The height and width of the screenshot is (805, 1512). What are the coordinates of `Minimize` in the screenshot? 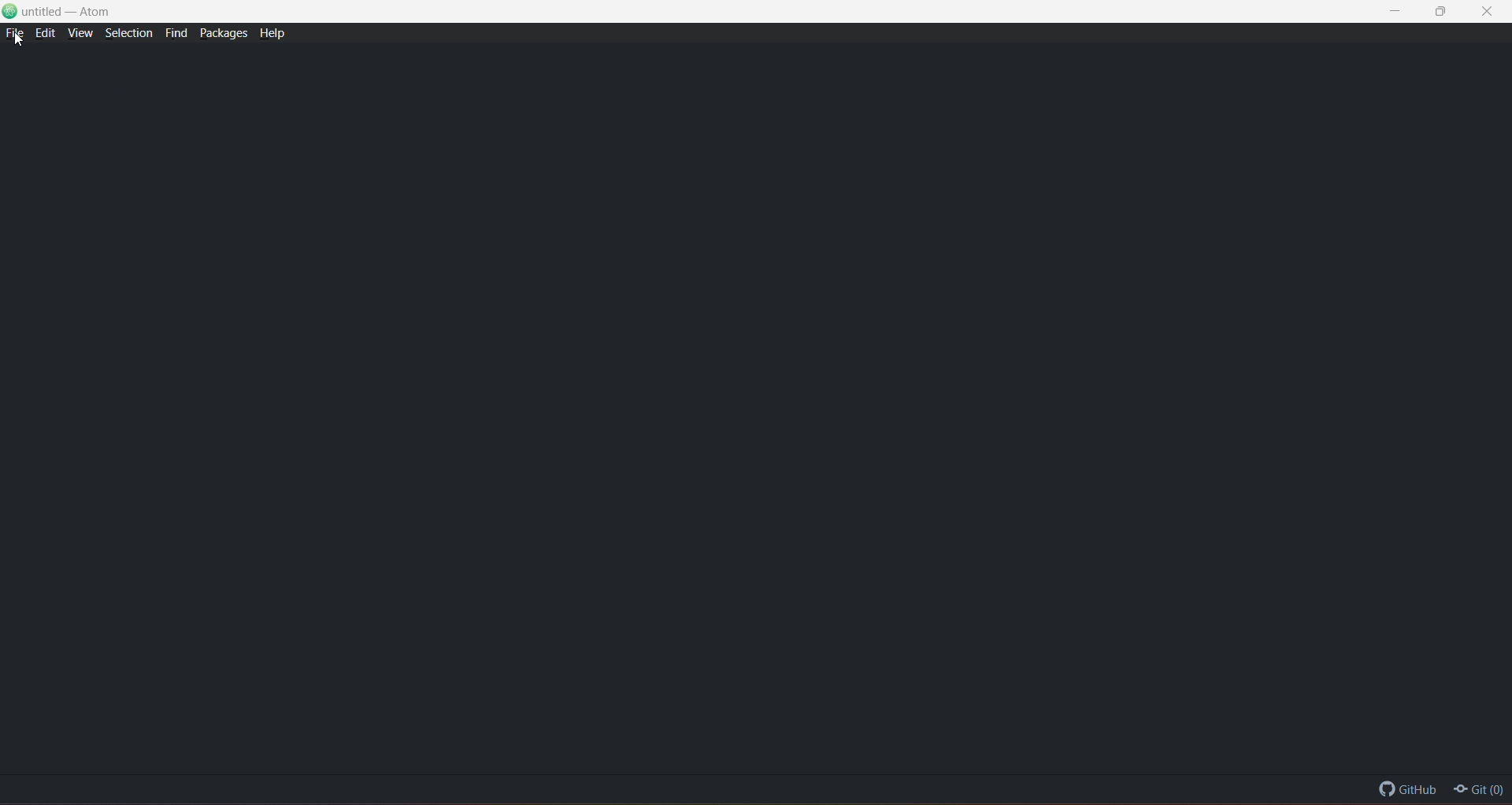 It's located at (1402, 12).